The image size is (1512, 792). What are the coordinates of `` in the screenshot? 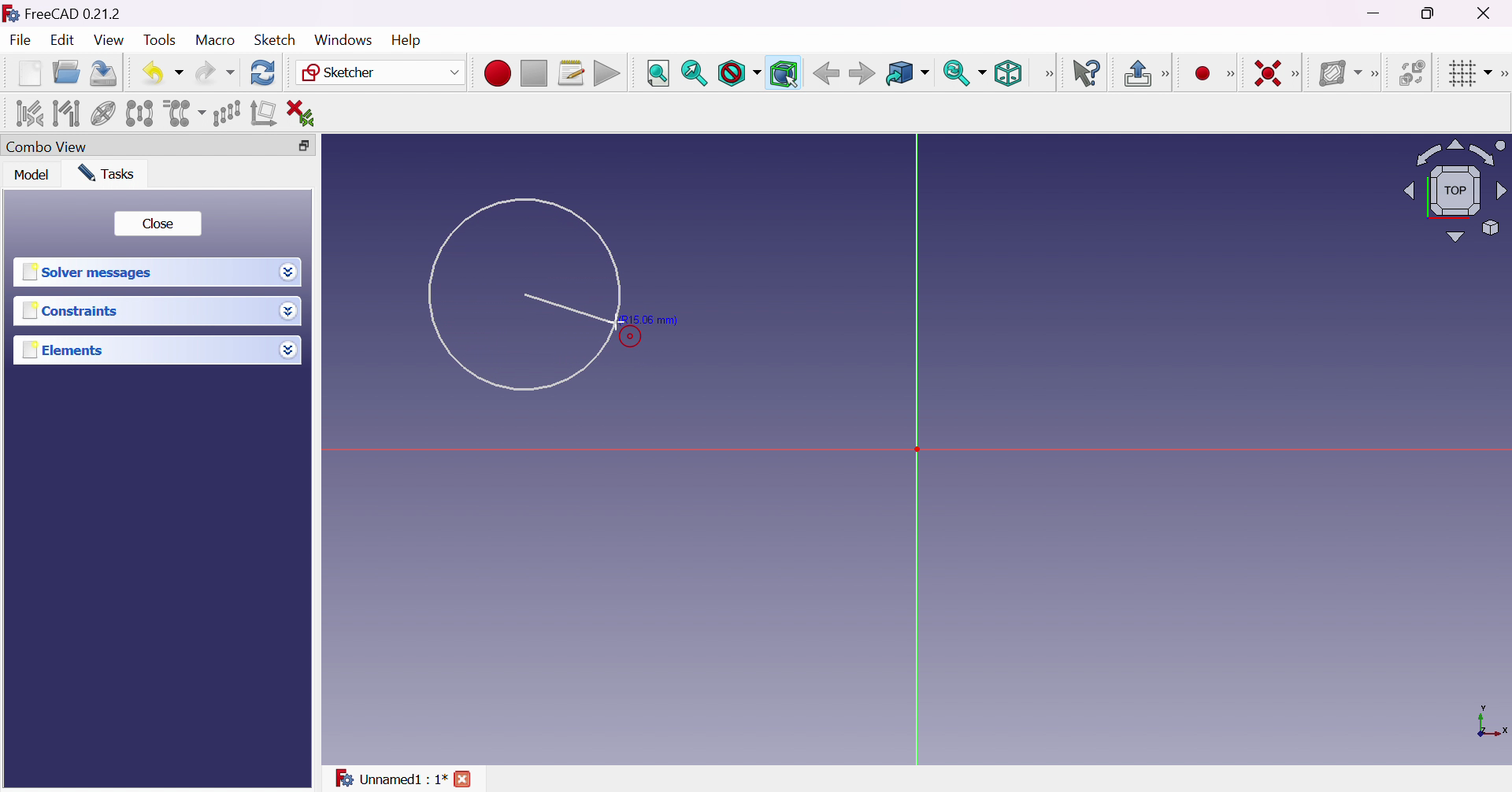 It's located at (965, 74).